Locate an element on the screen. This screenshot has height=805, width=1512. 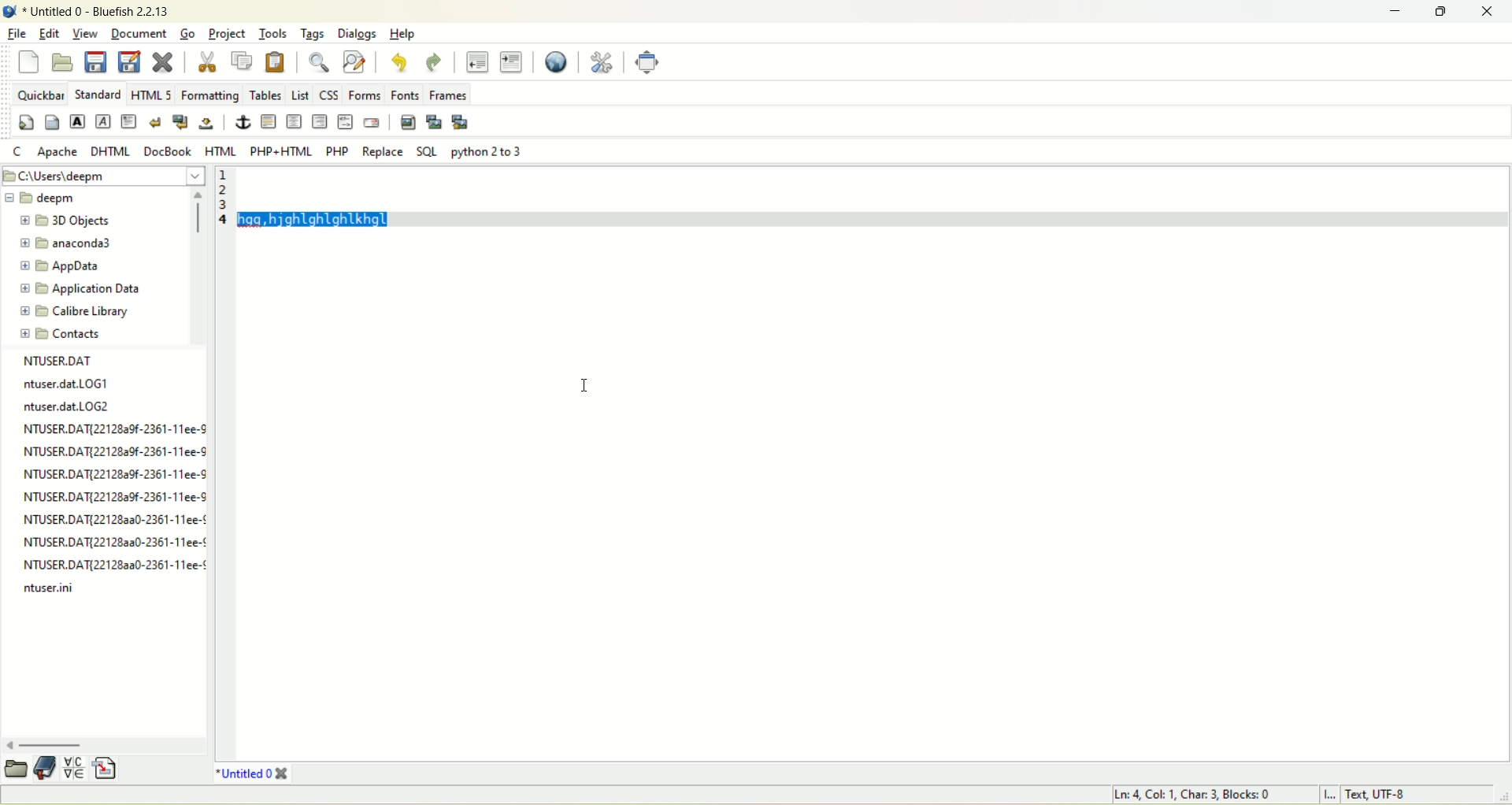
open file is located at coordinates (65, 61).